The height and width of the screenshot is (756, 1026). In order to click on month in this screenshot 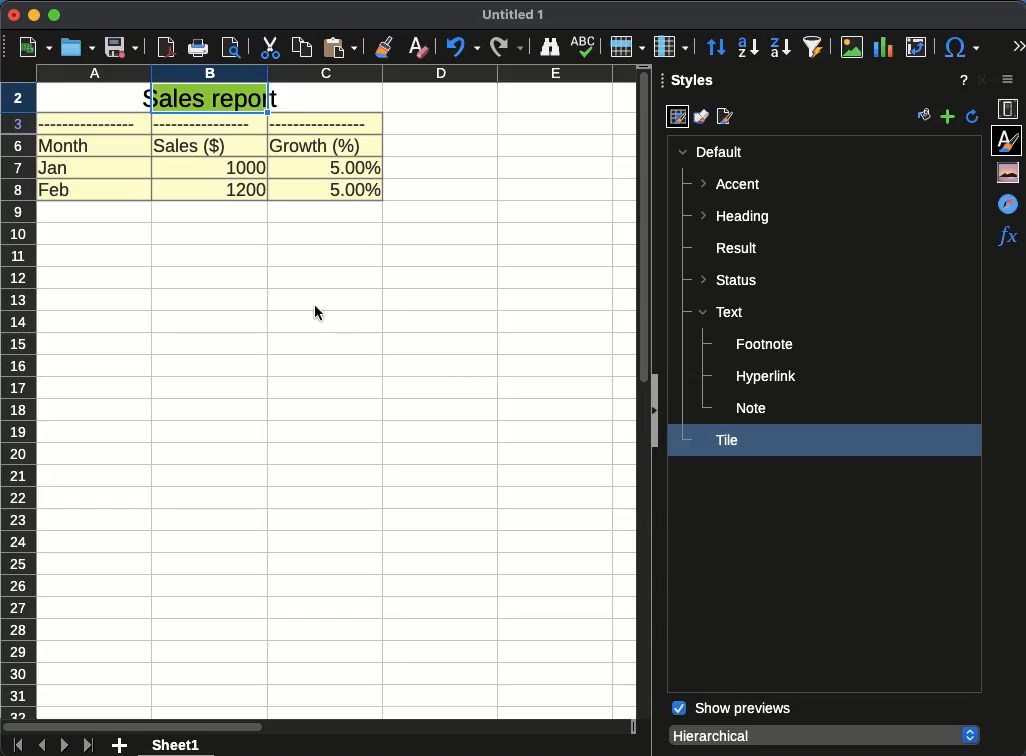, I will do `click(64, 145)`.